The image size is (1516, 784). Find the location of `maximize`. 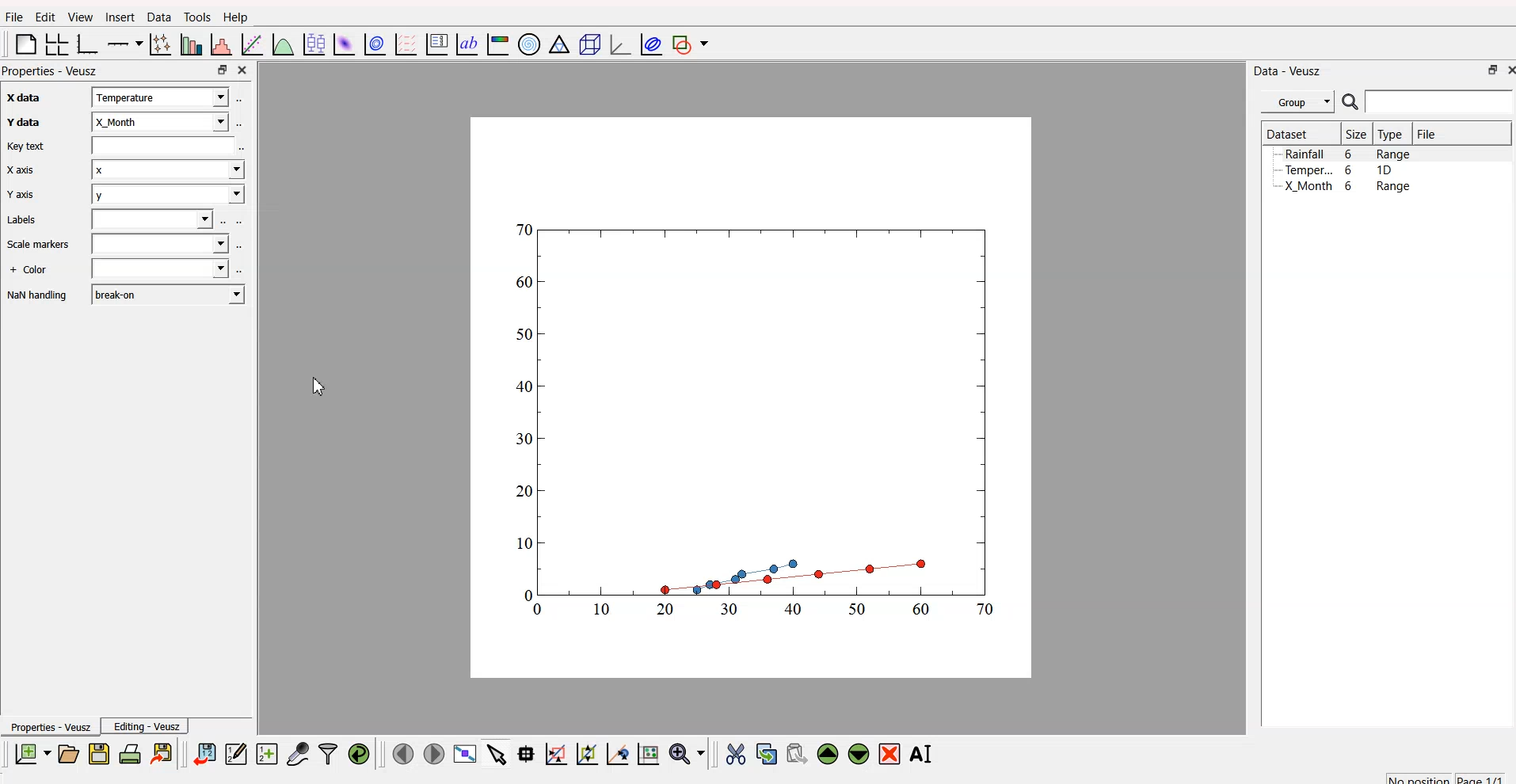

maximize is located at coordinates (221, 70).